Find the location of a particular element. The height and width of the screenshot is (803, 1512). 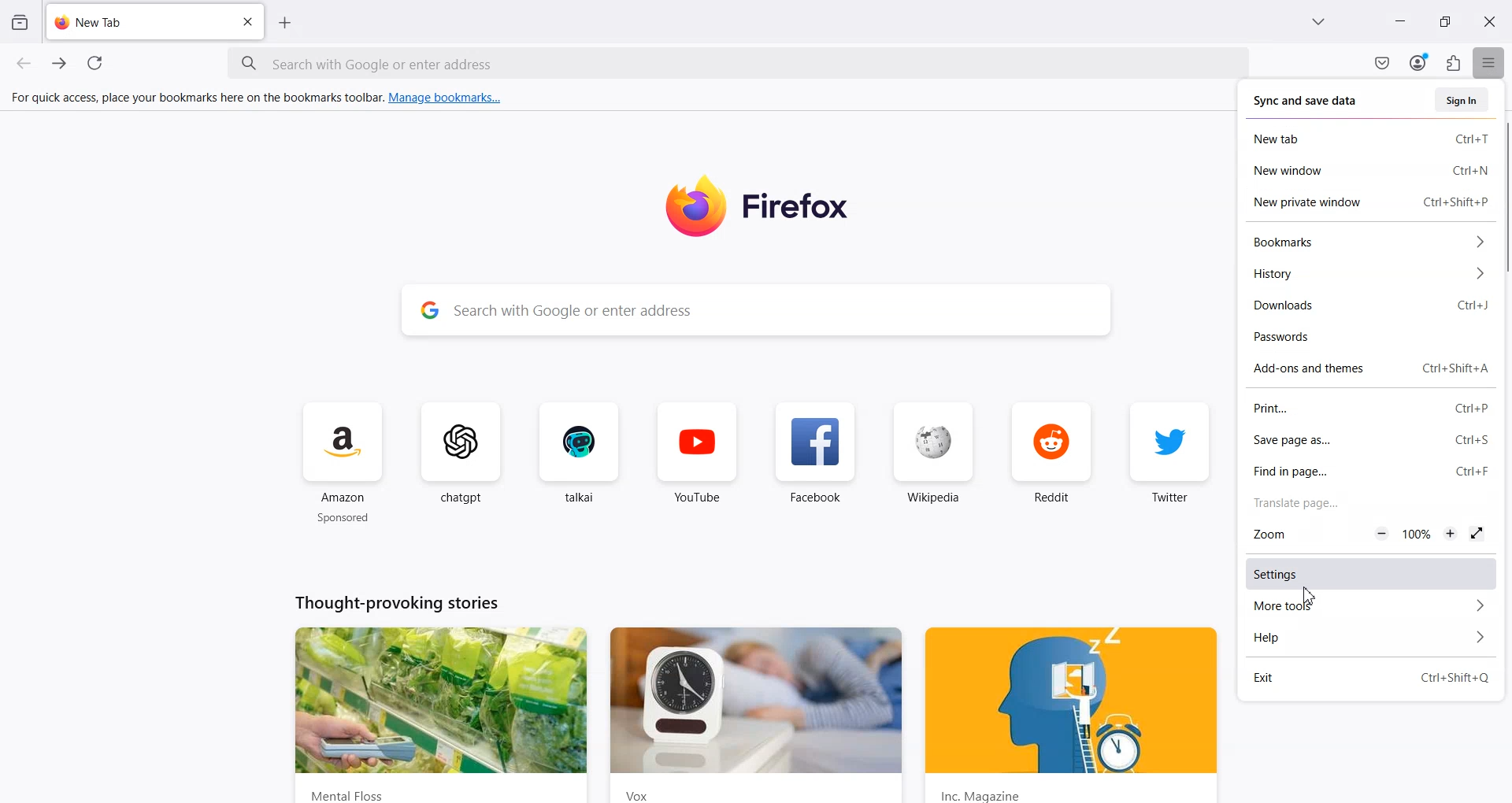

Mac Safe is located at coordinates (1382, 63).